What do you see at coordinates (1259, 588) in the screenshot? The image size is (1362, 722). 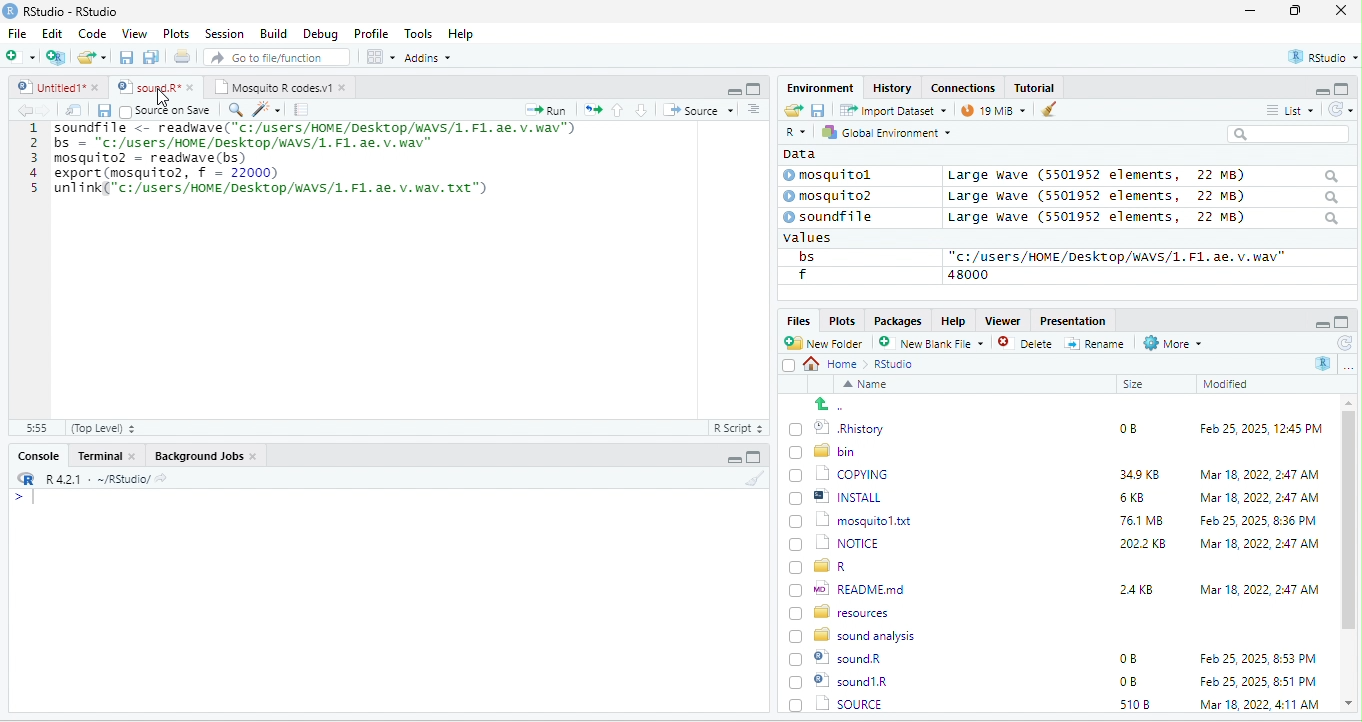 I see `Mar 18, 2022, 2:47 AM` at bounding box center [1259, 588].